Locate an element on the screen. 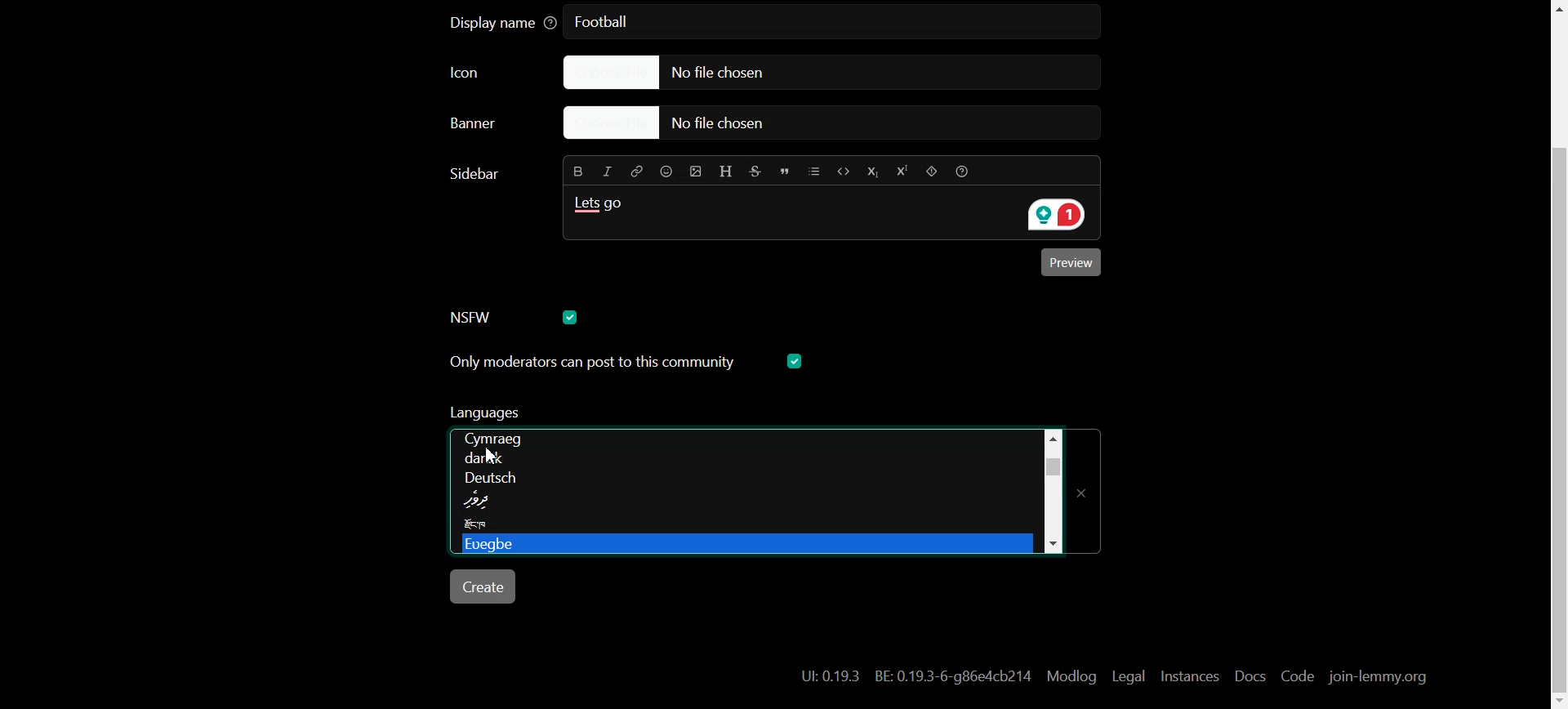 The height and width of the screenshot is (709, 1568). Quote is located at coordinates (786, 170).